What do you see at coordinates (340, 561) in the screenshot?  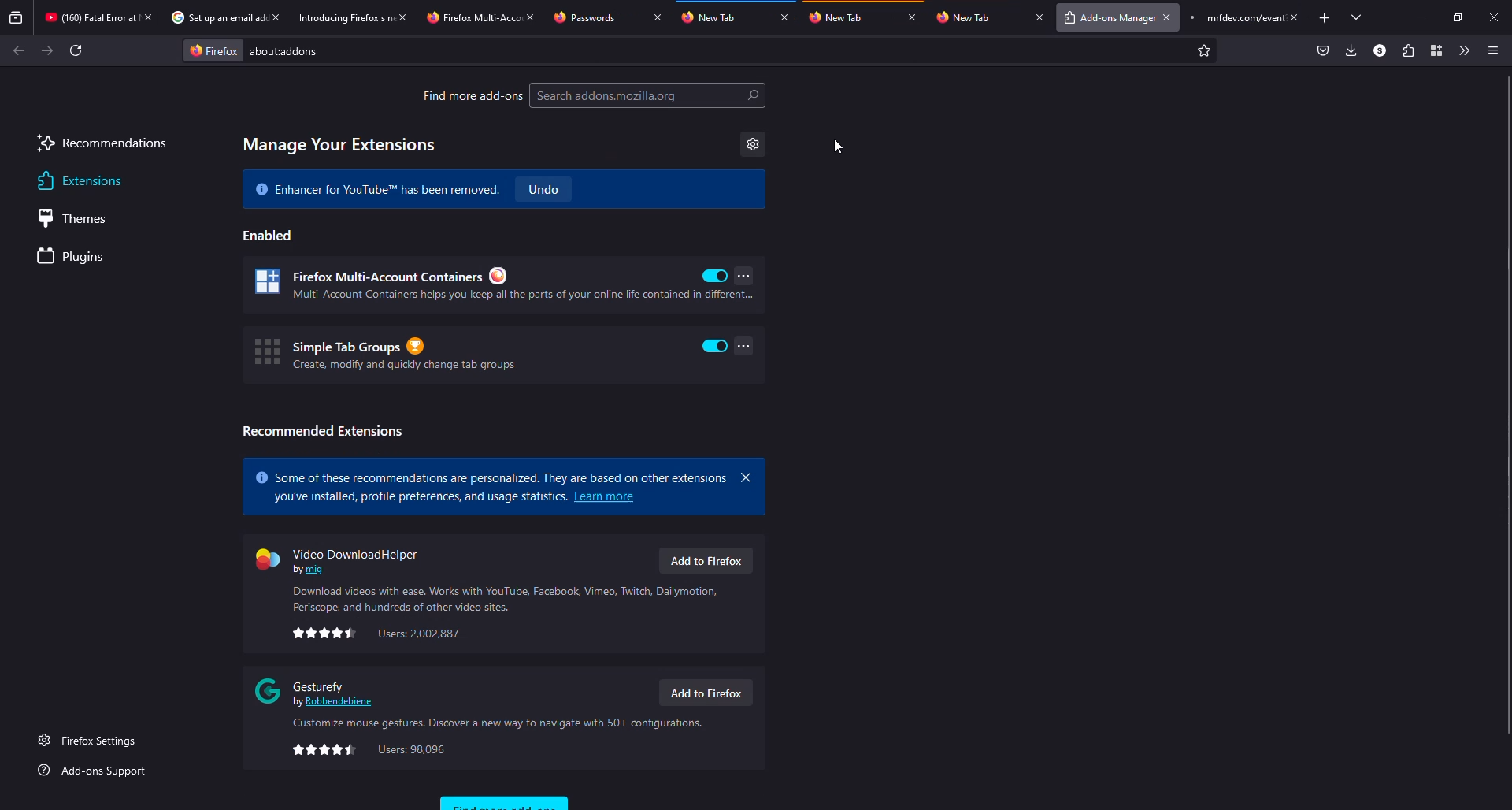 I see `video` at bounding box center [340, 561].